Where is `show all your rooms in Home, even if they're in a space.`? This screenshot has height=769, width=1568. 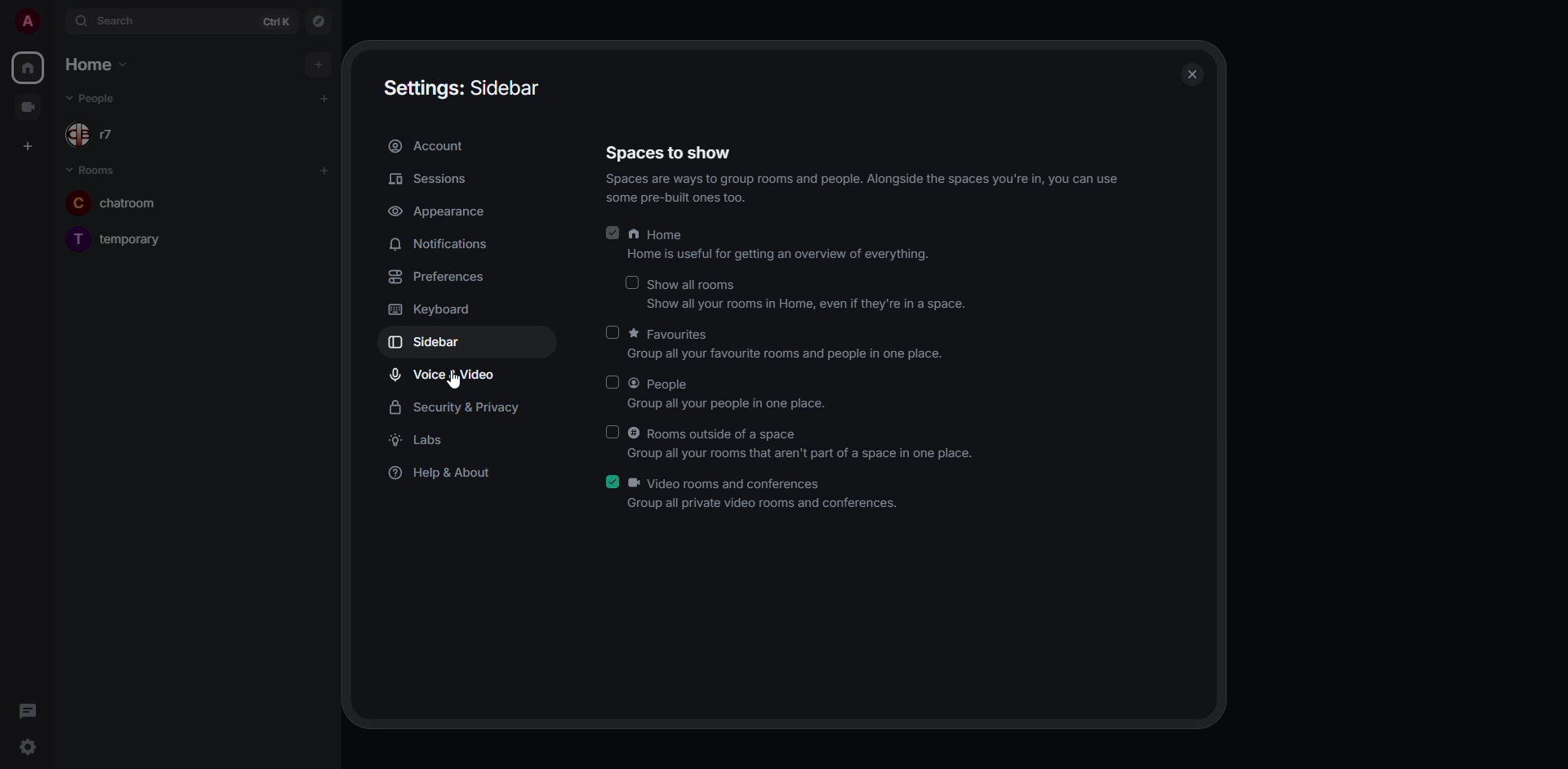
show all your rooms in Home, even if they're in a space. is located at coordinates (805, 305).